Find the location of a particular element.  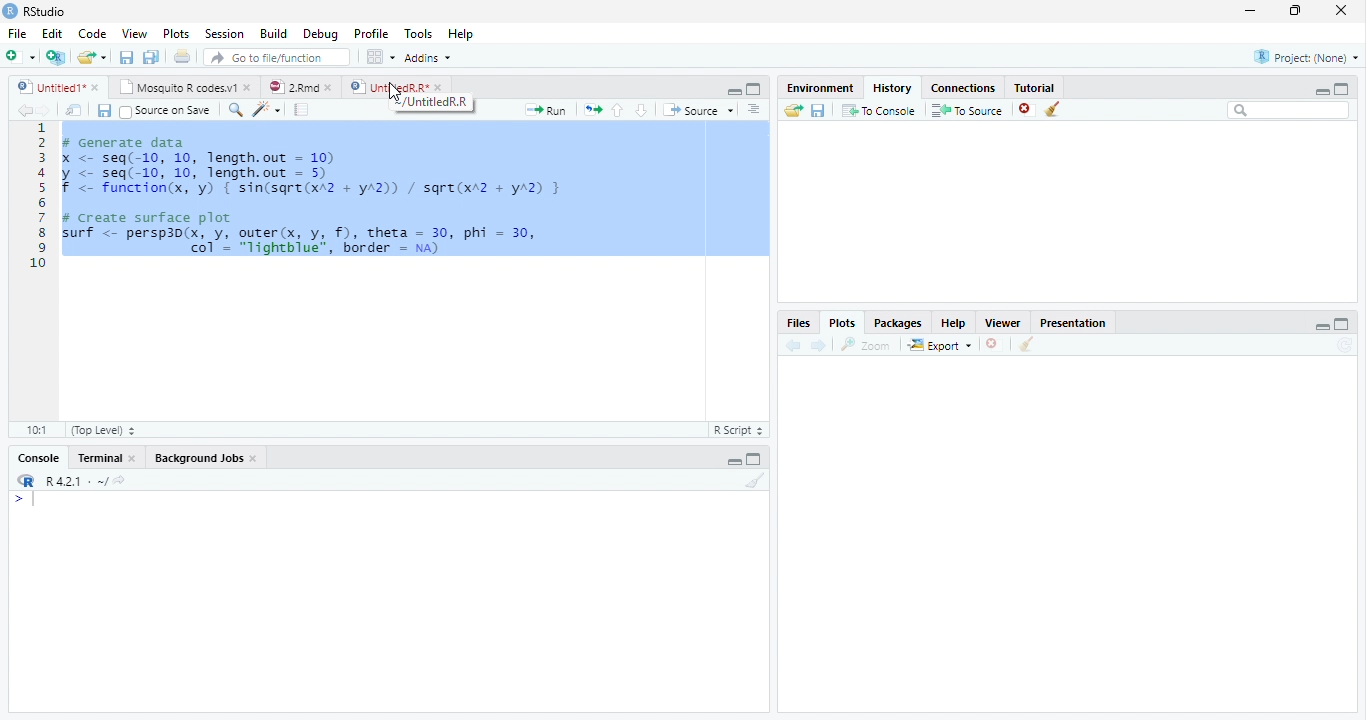

File is located at coordinates (17, 33).